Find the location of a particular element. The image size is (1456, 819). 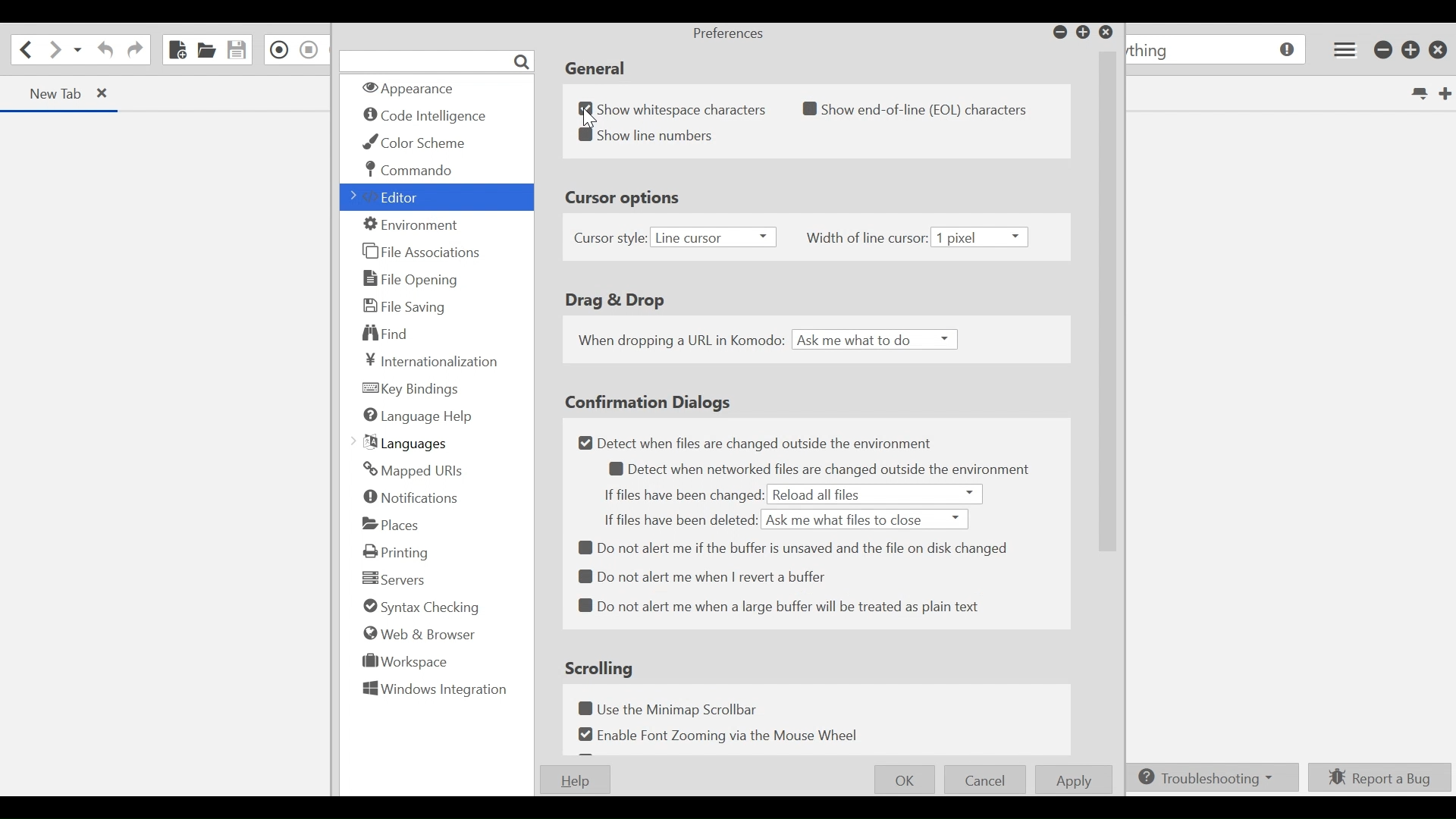

Go back onelocation is located at coordinates (24, 49).